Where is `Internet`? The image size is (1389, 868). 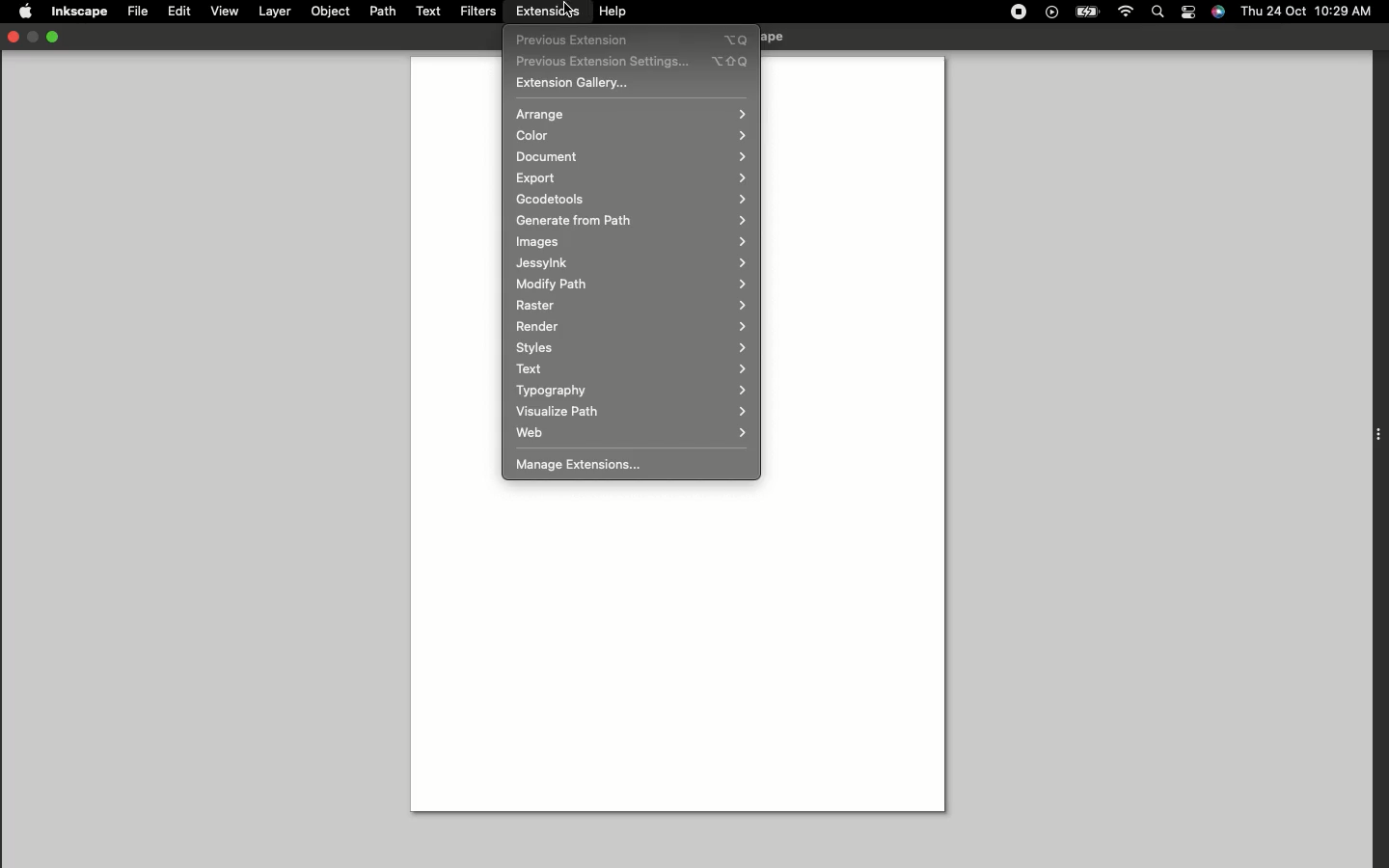 Internet is located at coordinates (1123, 12).